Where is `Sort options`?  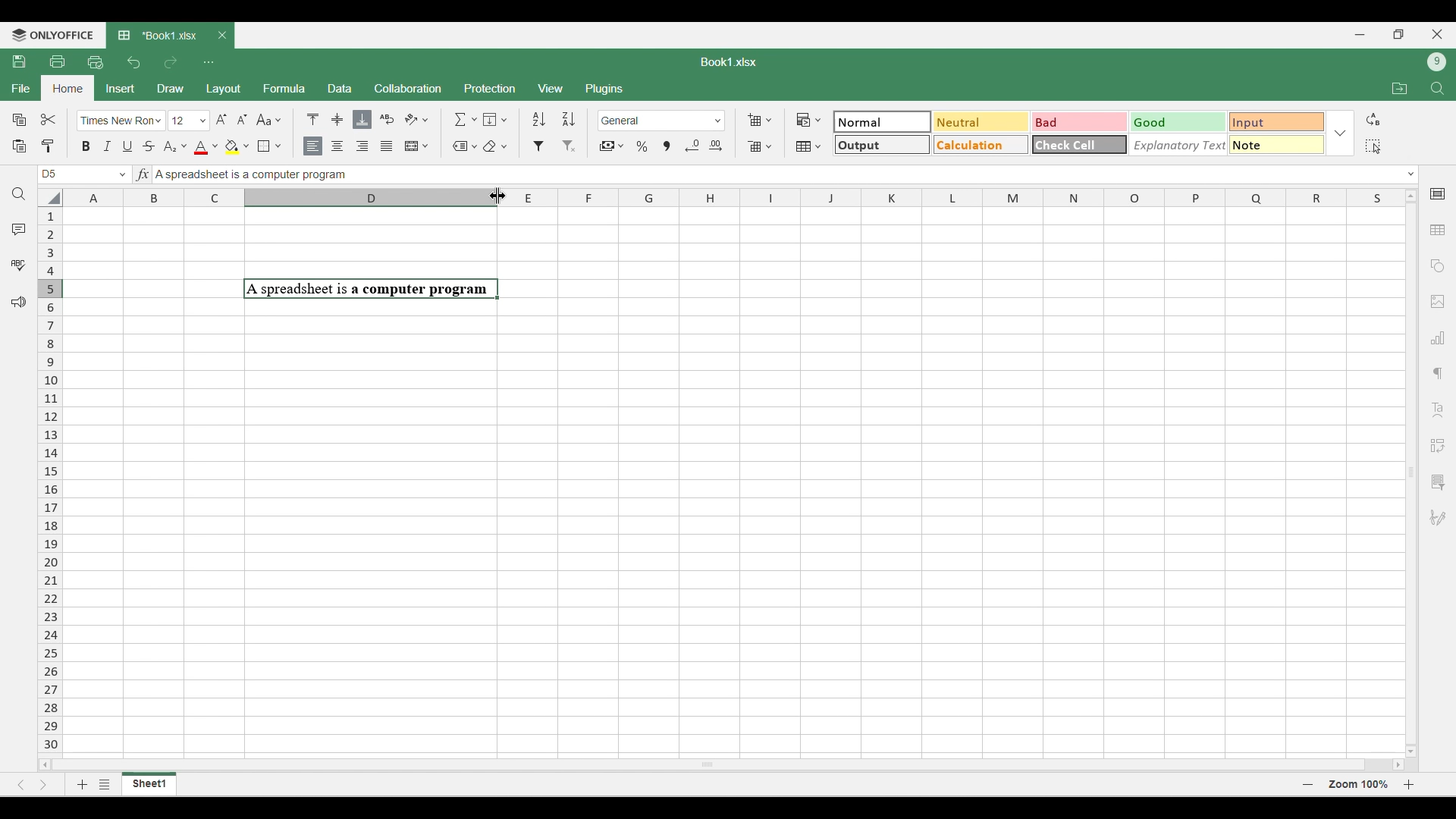 Sort options is located at coordinates (554, 119).